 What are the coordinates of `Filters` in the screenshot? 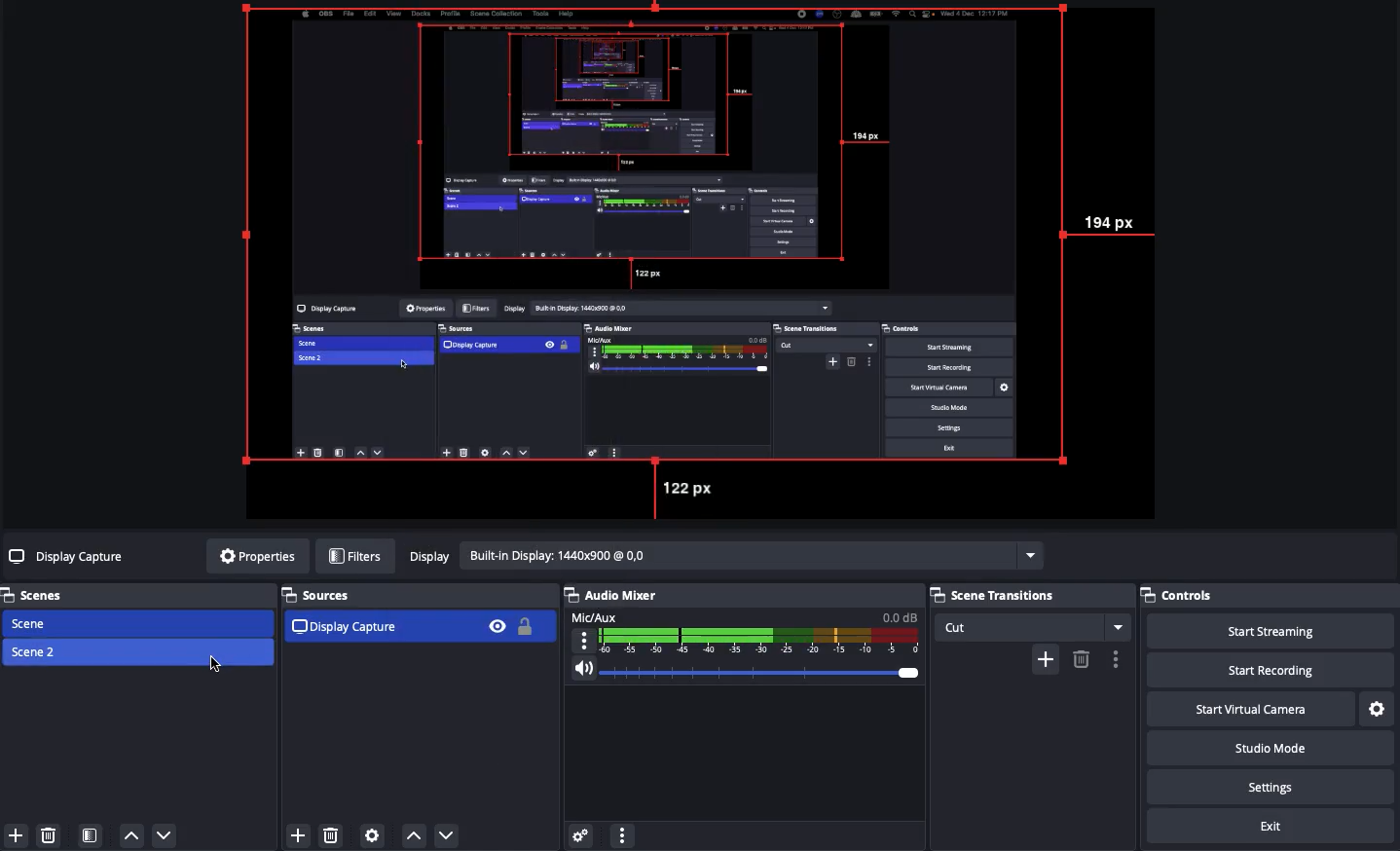 It's located at (354, 554).